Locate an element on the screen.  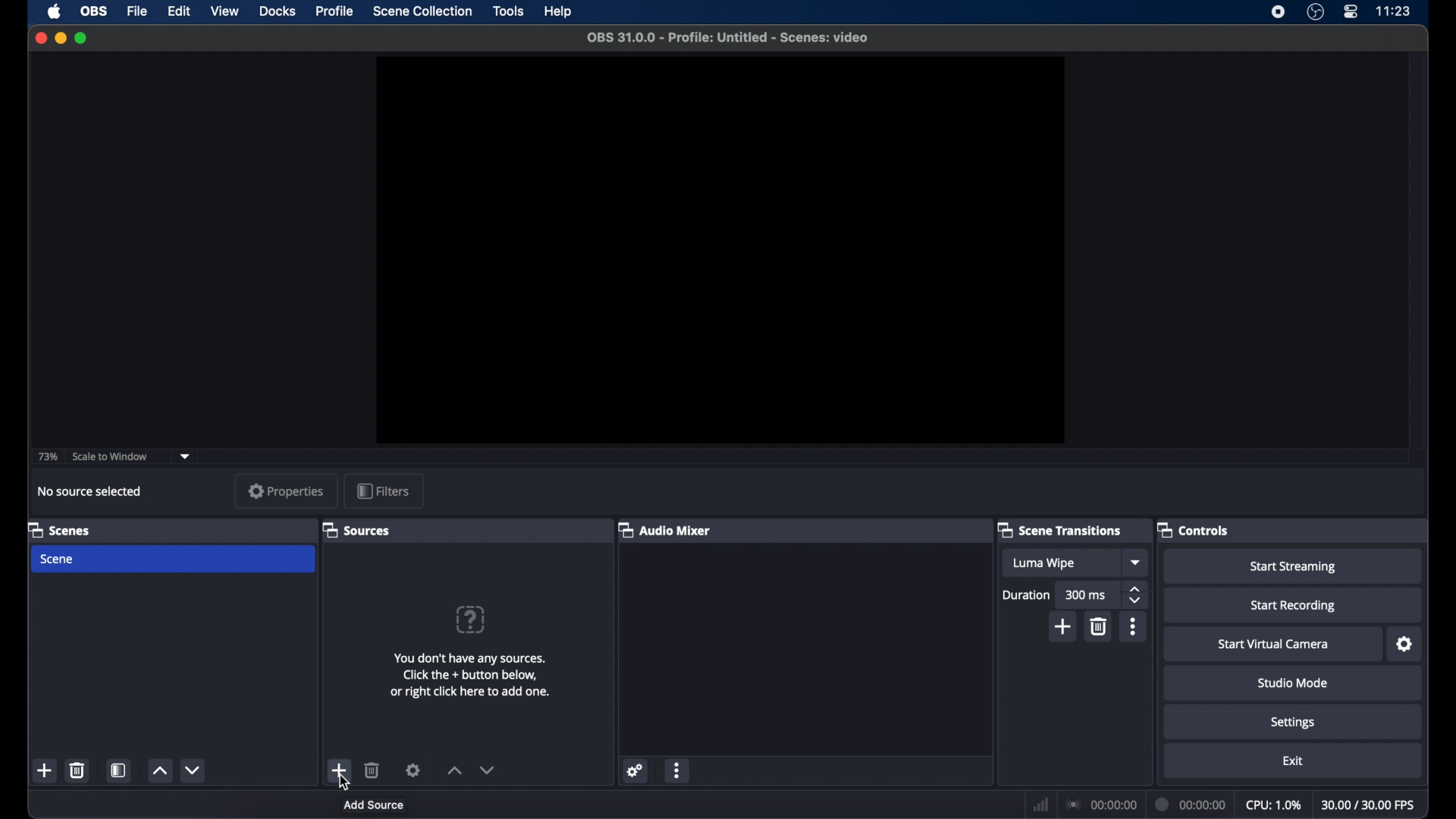
300 ms is located at coordinates (1086, 595).